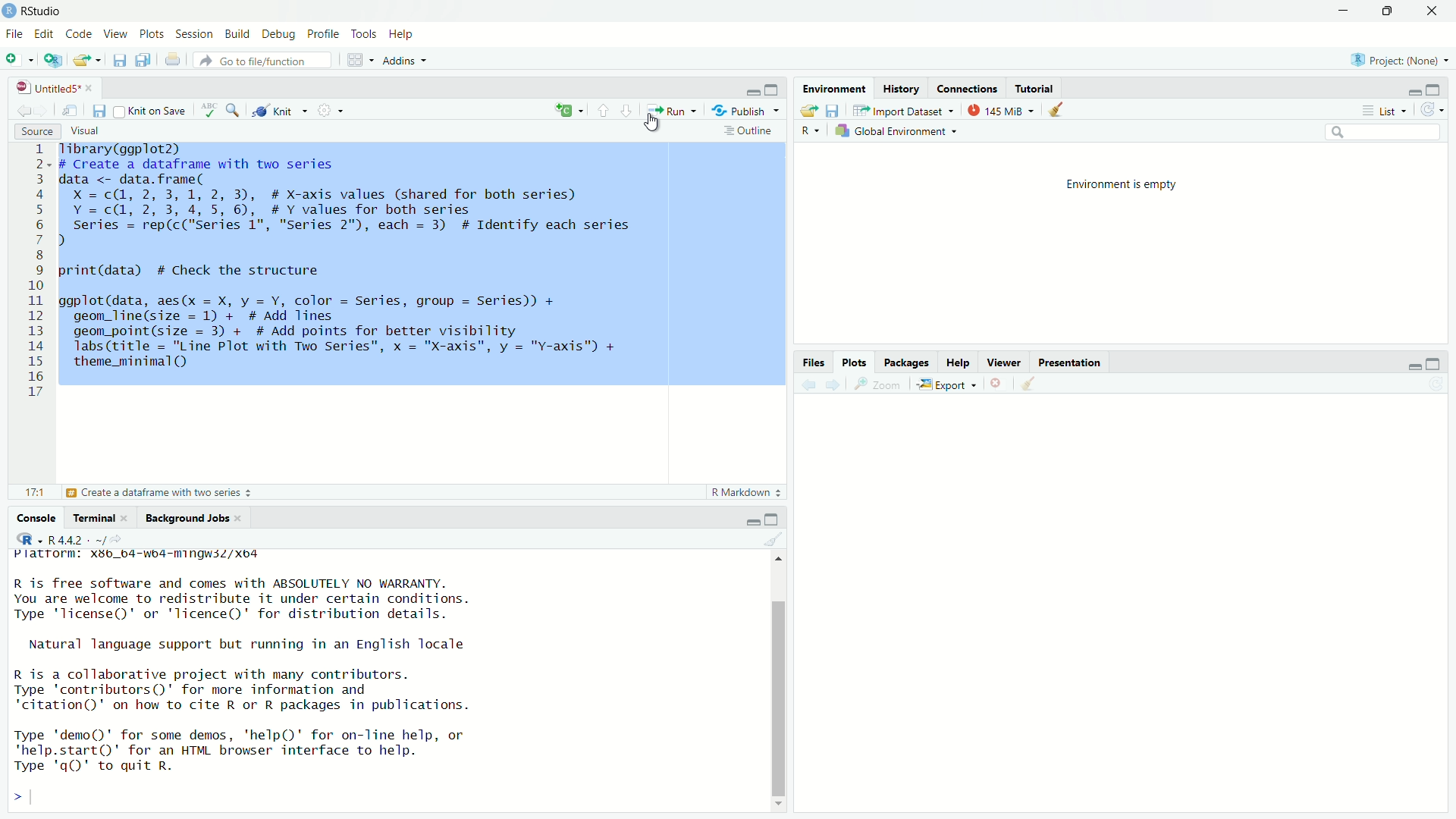 This screenshot has height=819, width=1456. I want to click on 17:1, so click(33, 492).